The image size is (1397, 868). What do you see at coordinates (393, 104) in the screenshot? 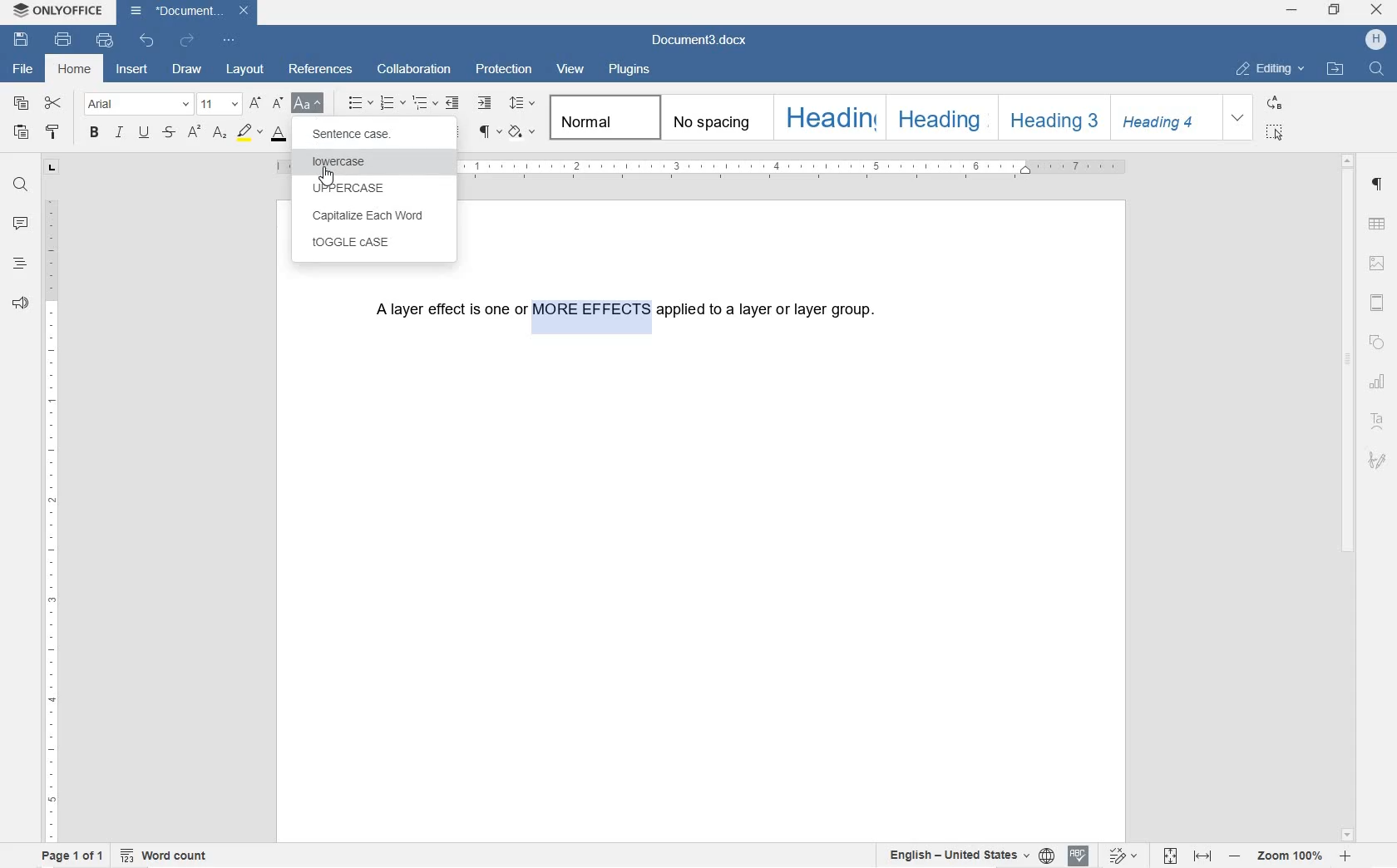
I see `NUMBERING` at bounding box center [393, 104].